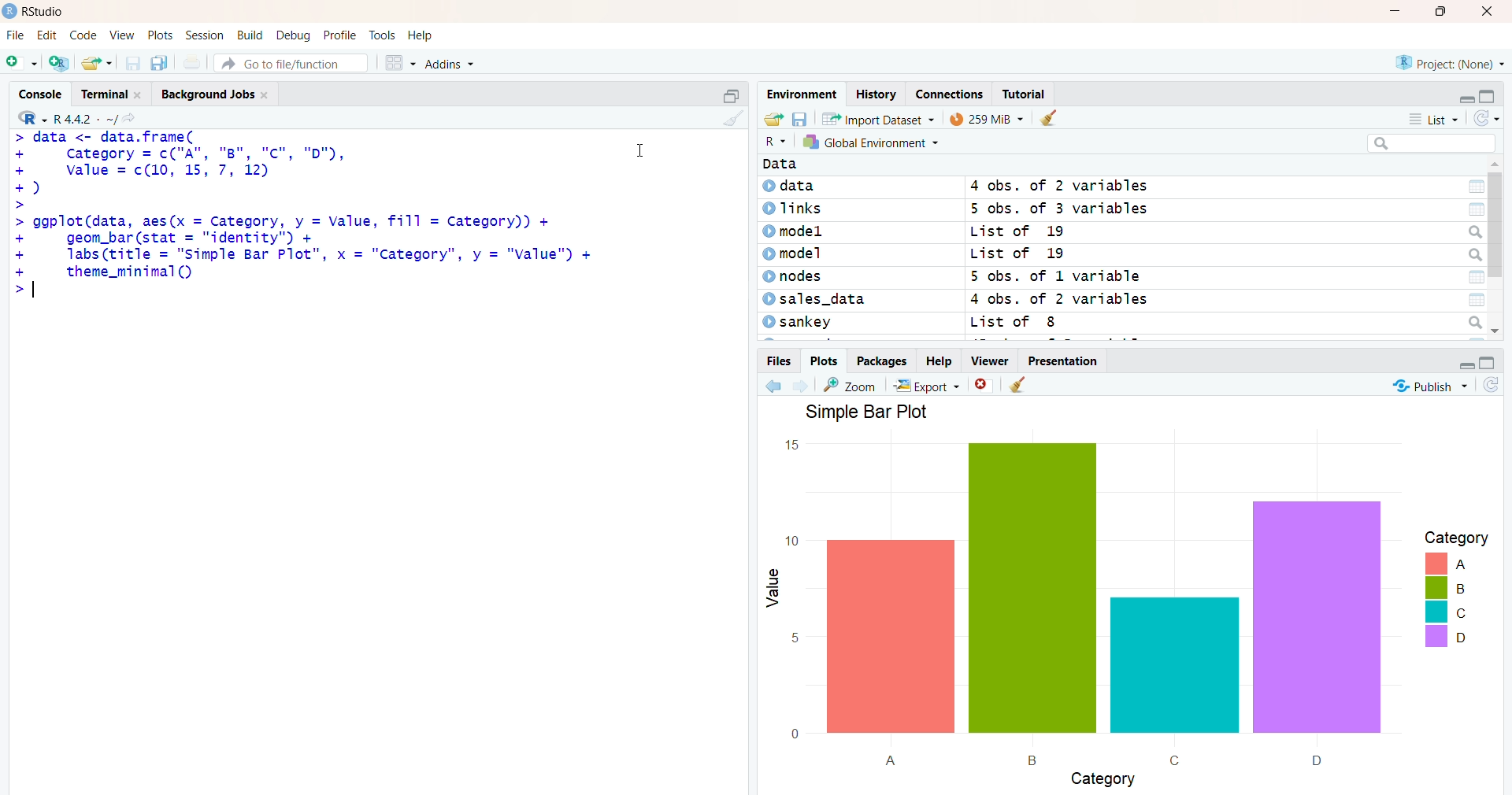  Describe the element at coordinates (58, 62) in the screenshot. I see `create a project` at that location.